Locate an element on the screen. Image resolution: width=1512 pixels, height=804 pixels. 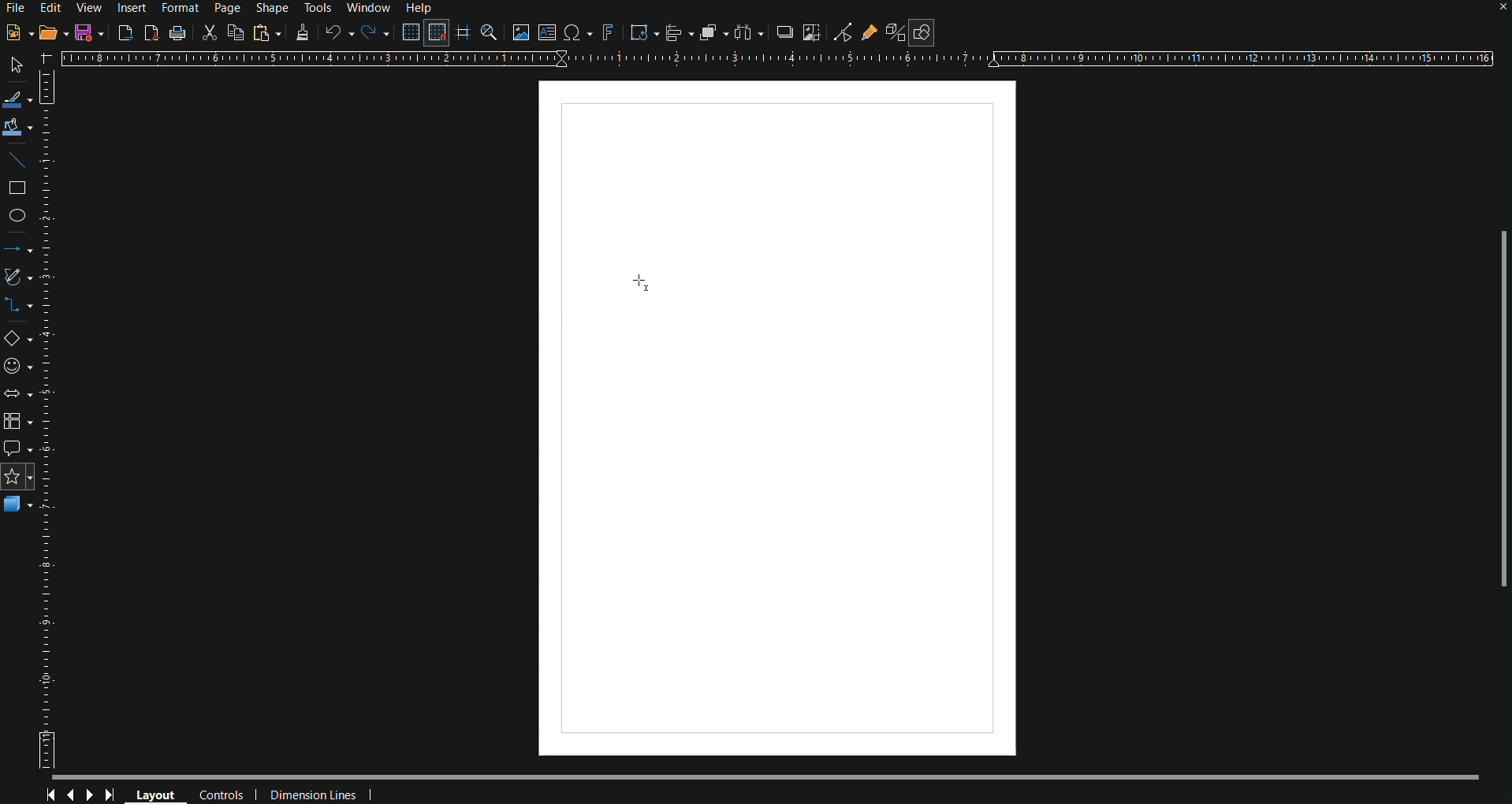
Show Gluepoint Functions is located at coordinates (871, 33).